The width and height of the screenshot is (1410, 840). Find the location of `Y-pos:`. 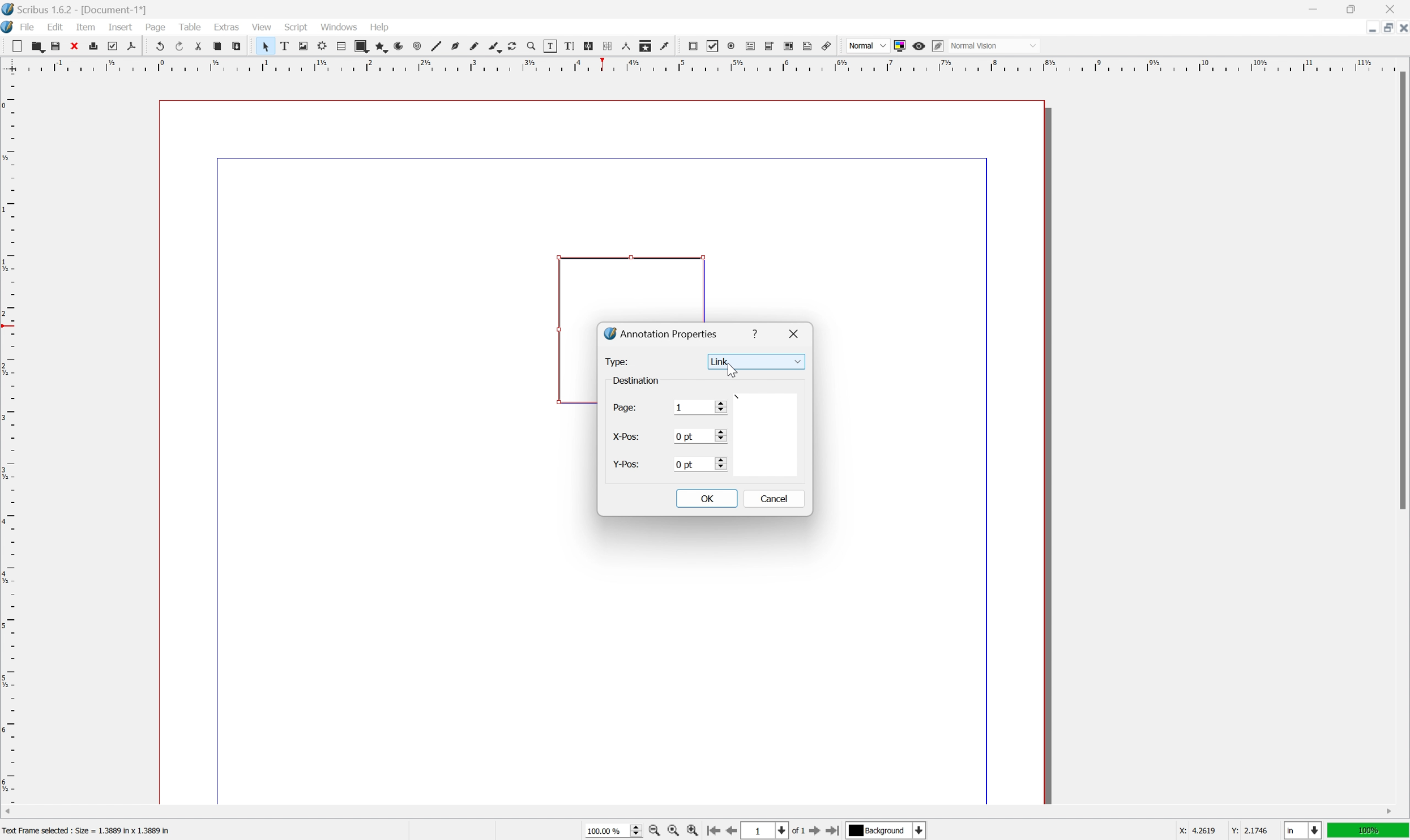

Y-pos: is located at coordinates (625, 464).